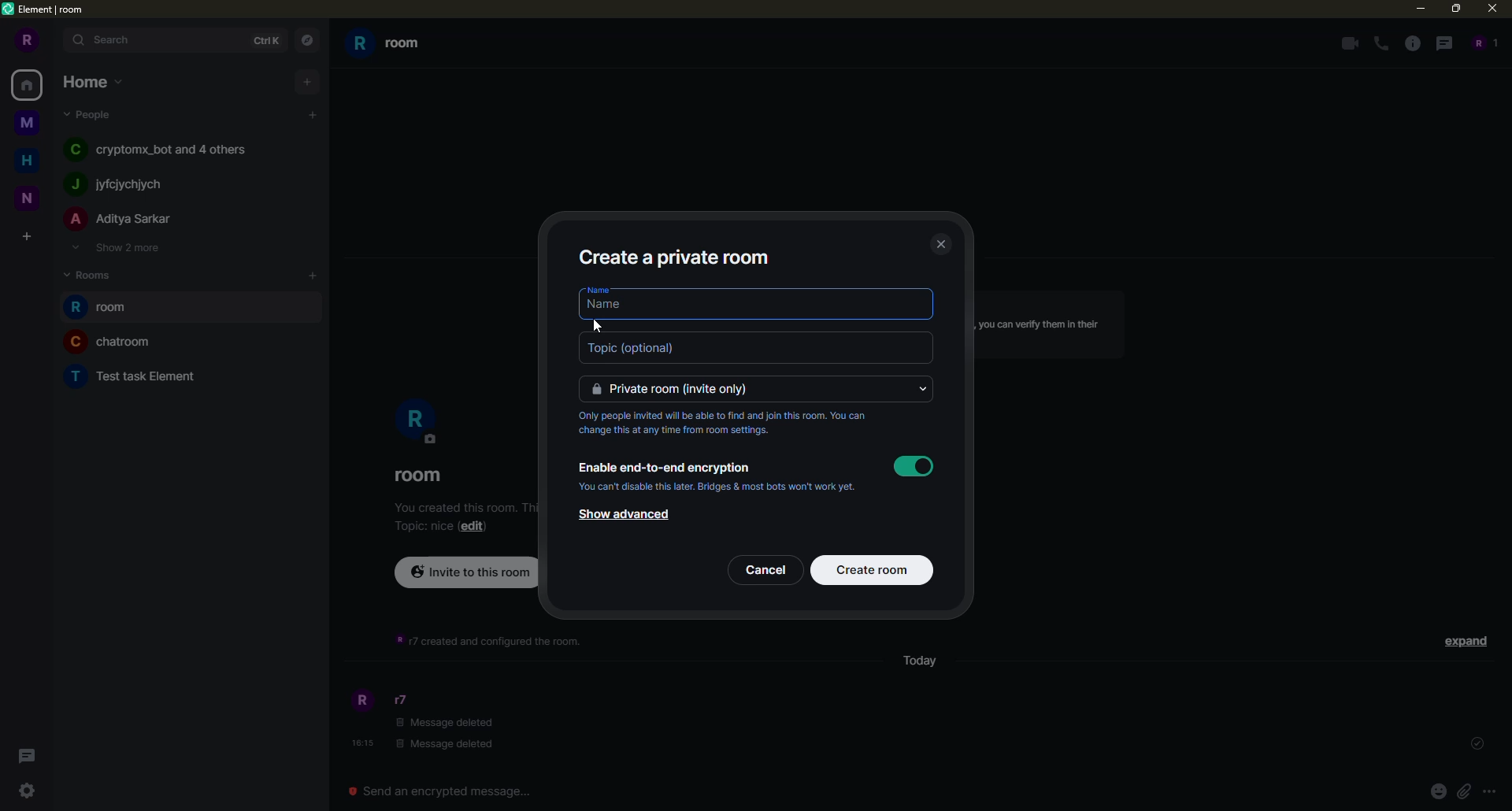 This screenshot has width=1512, height=811. What do you see at coordinates (26, 791) in the screenshot?
I see `quick settings` at bounding box center [26, 791].